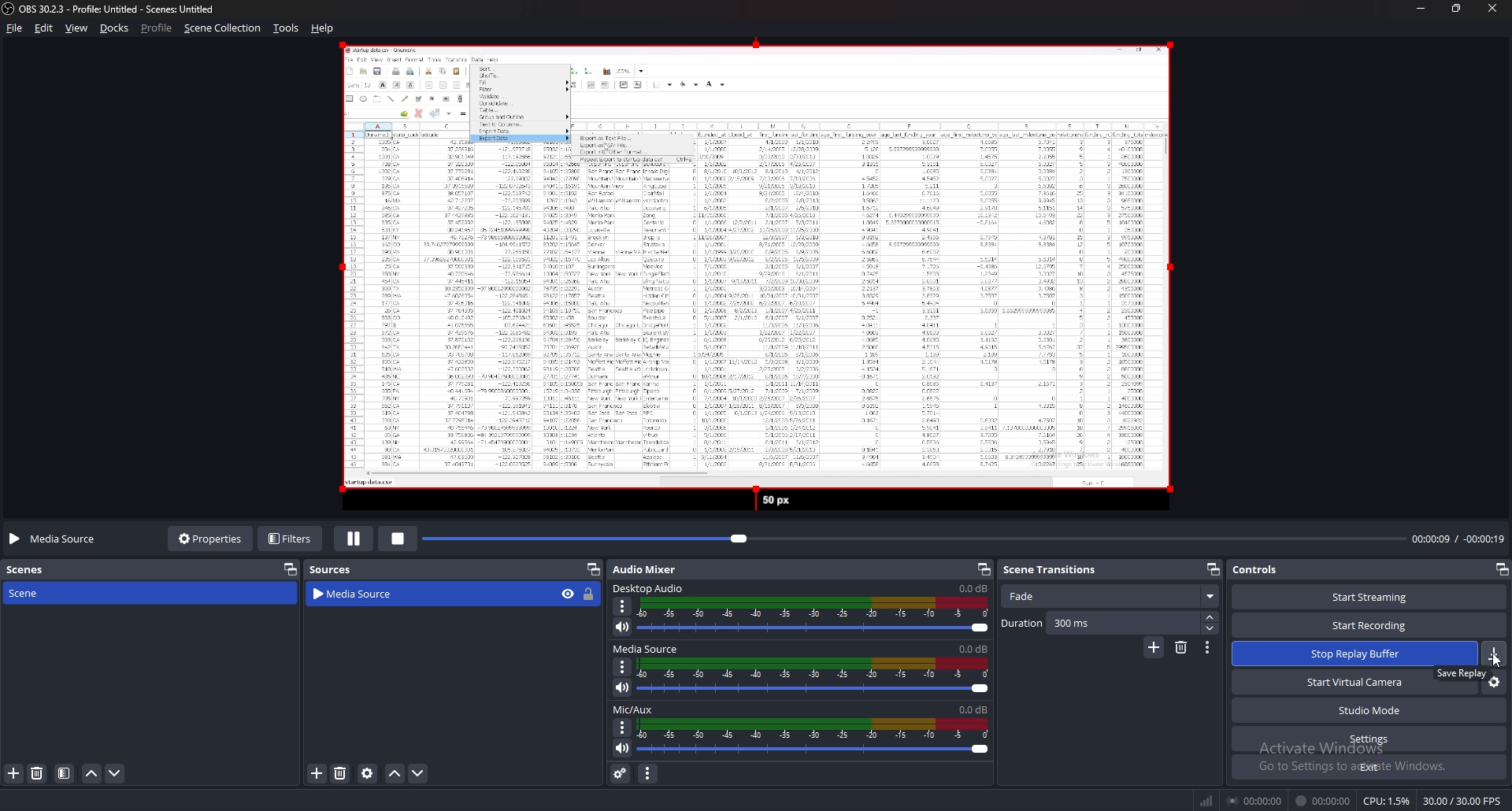  Describe the element at coordinates (369, 773) in the screenshot. I see `open source properties` at that location.